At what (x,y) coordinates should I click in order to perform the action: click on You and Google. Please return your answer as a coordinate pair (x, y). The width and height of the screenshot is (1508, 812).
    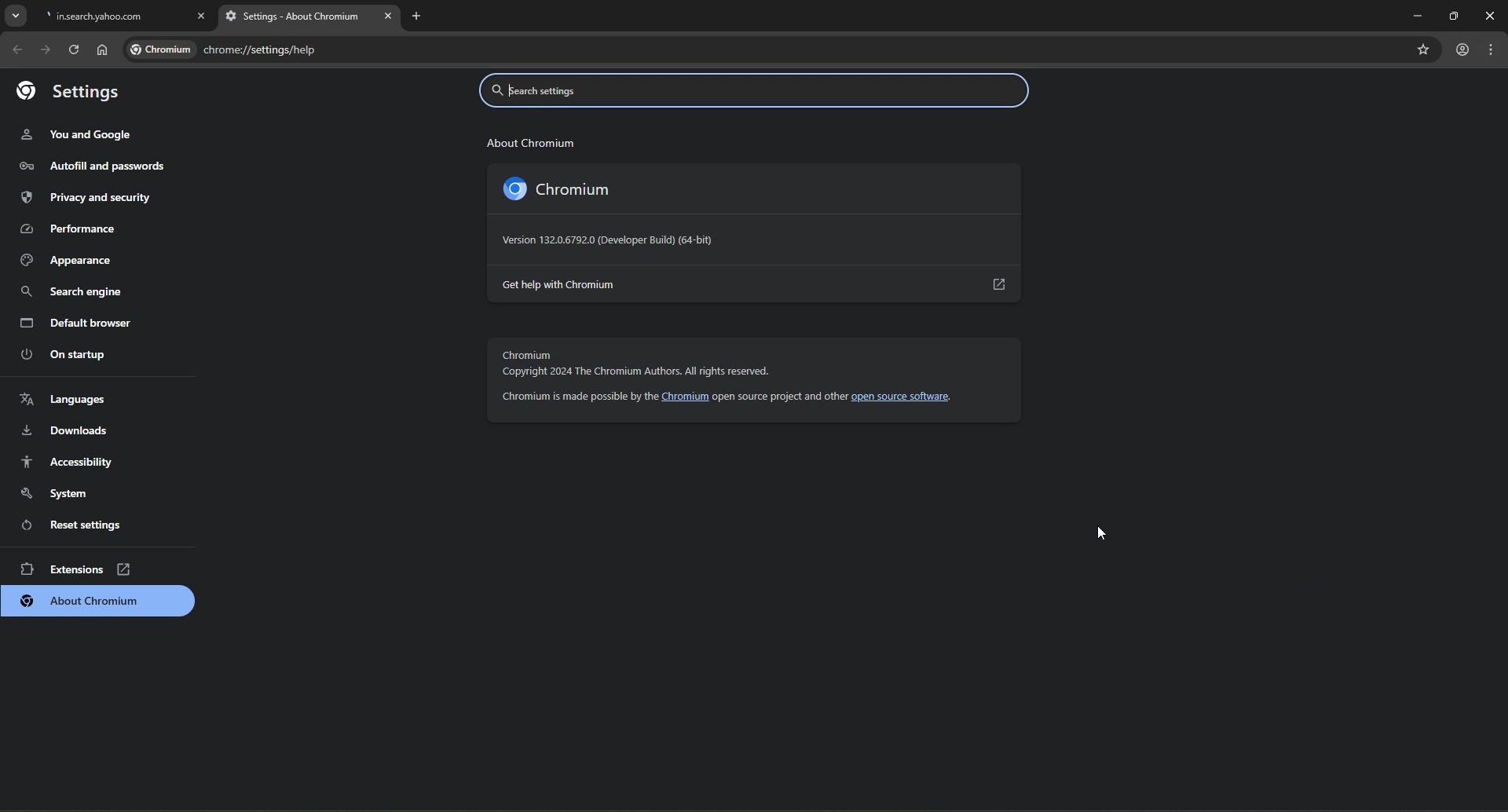
    Looking at the image, I should click on (82, 135).